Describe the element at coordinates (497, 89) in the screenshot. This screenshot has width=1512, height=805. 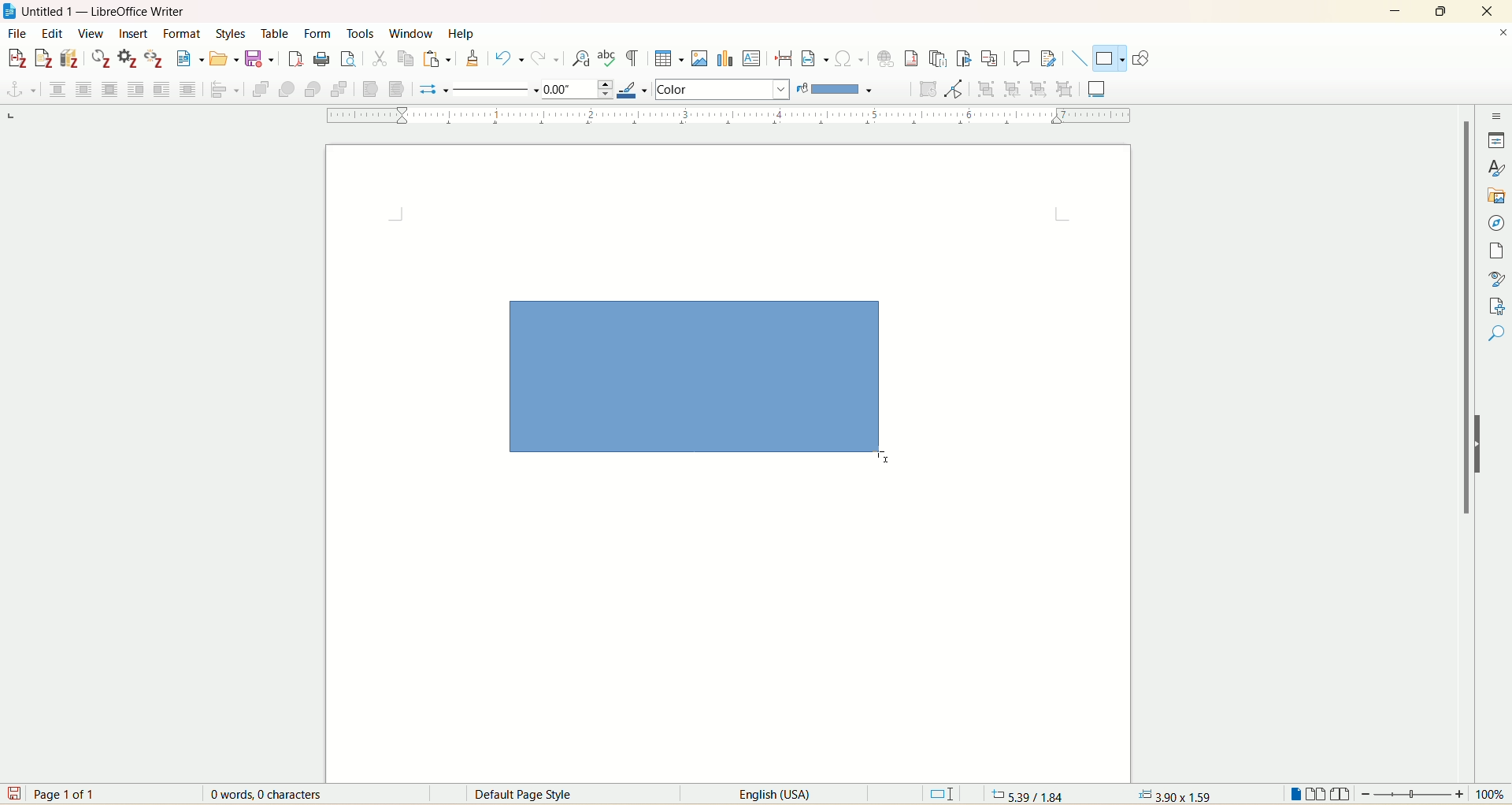
I see `line style` at that location.